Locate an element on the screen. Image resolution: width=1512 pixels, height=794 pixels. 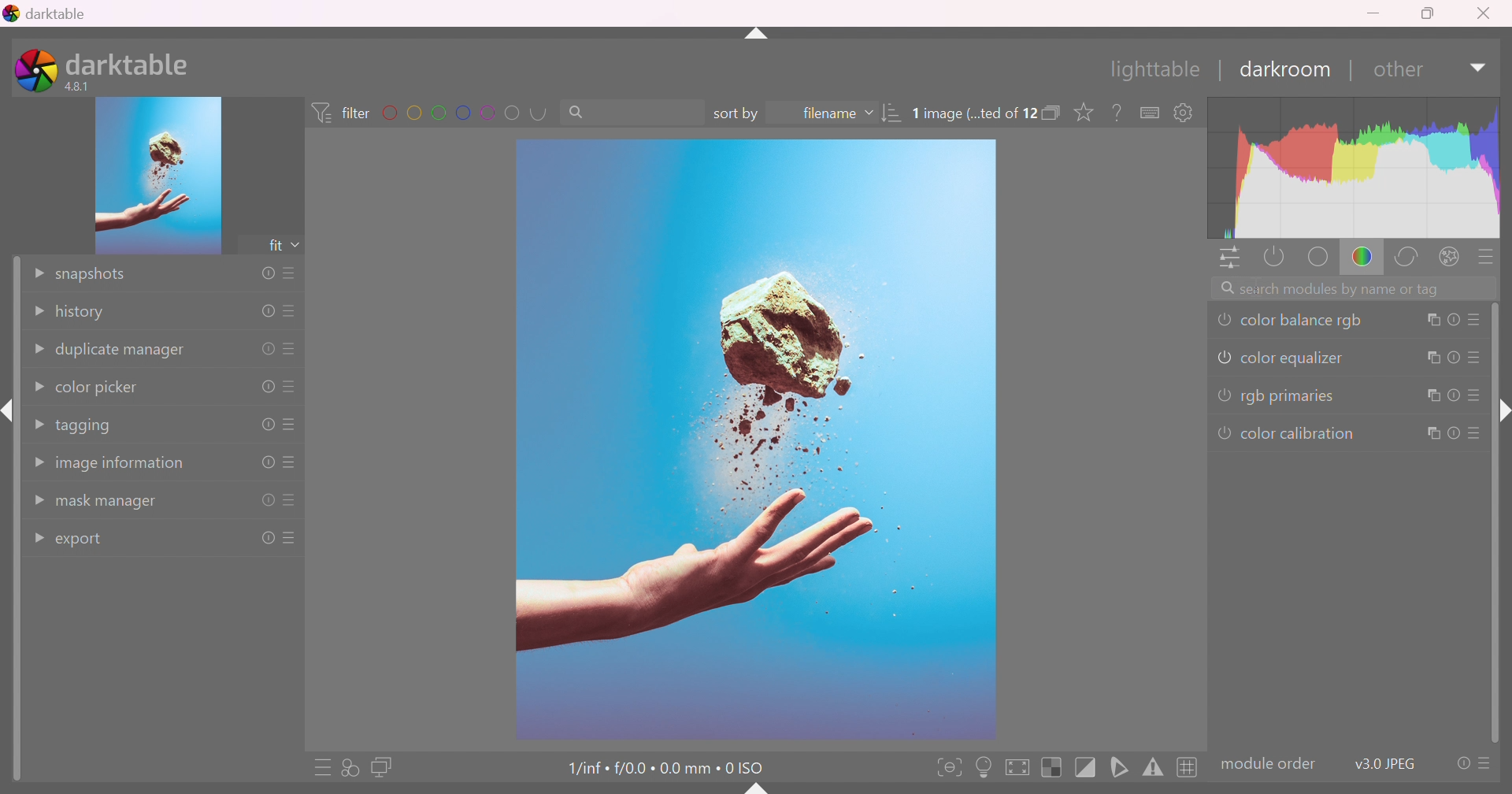
filter is located at coordinates (339, 110).